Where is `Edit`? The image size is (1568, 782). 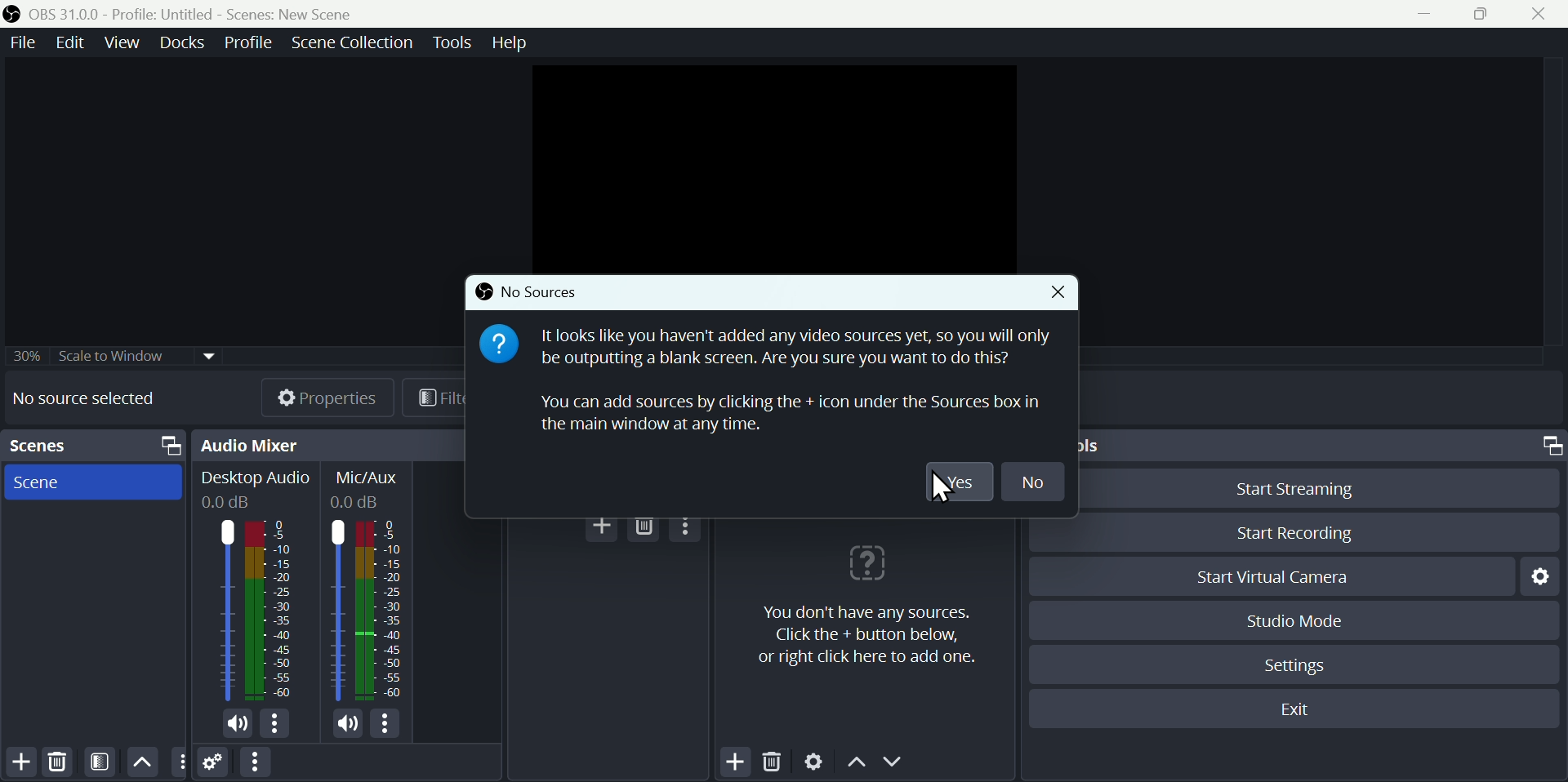
Edit is located at coordinates (74, 48).